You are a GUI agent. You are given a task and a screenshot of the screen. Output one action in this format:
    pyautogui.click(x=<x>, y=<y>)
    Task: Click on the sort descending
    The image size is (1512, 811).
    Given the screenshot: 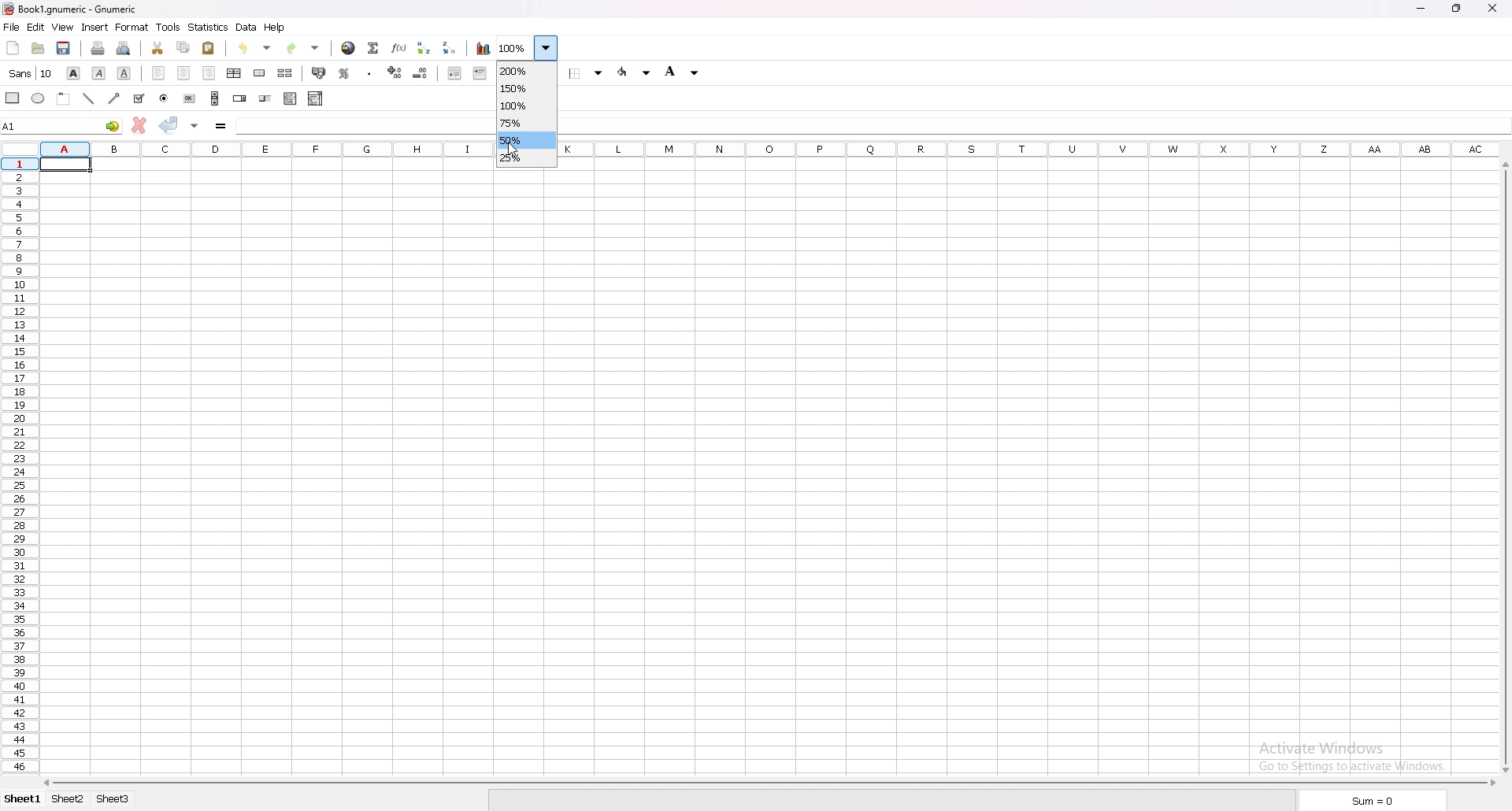 What is the action you would take?
    pyautogui.click(x=449, y=47)
    